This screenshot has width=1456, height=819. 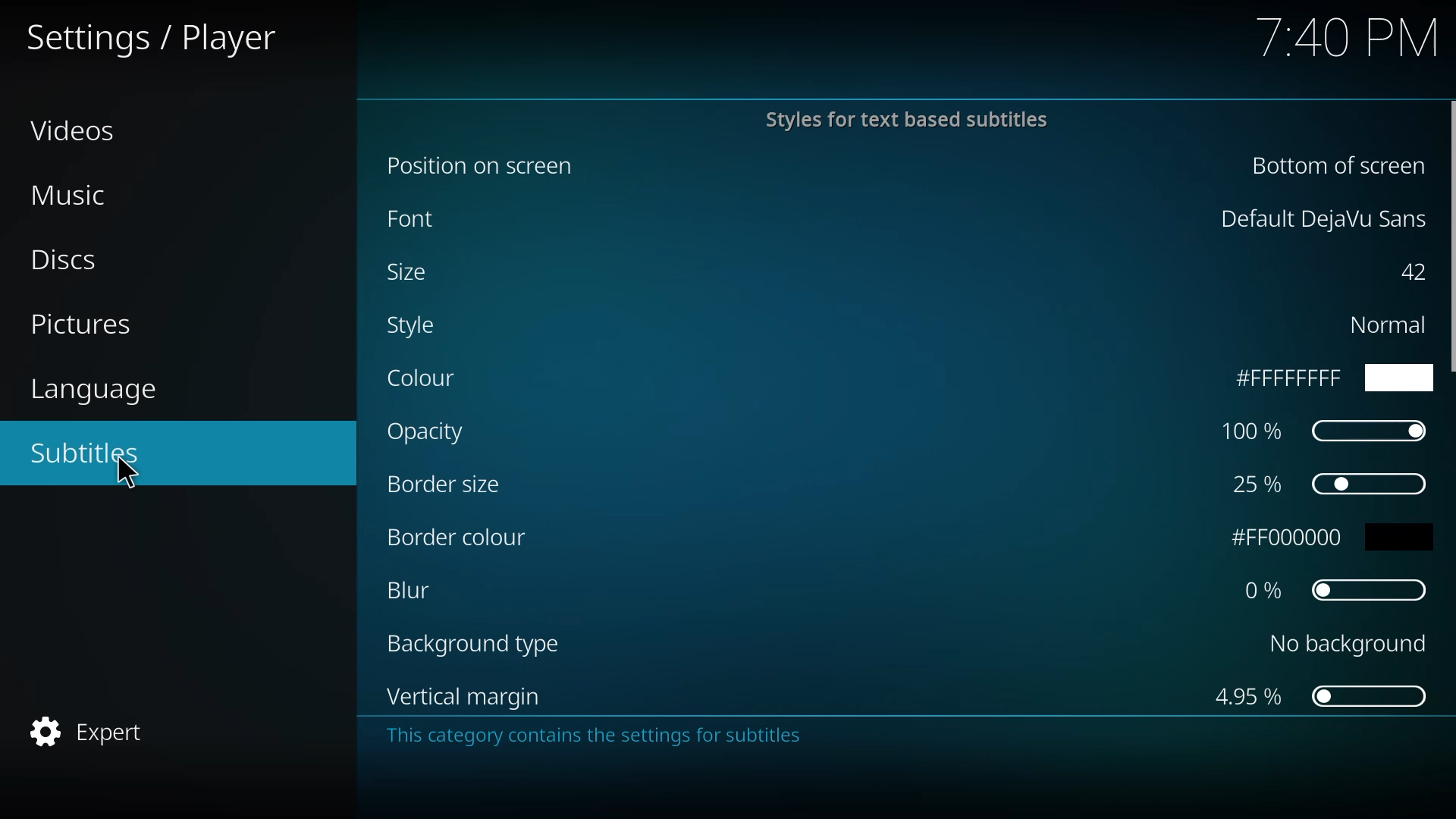 What do you see at coordinates (1412, 271) in the screenshot?
I see `42` at bounding box center [1412, 271].